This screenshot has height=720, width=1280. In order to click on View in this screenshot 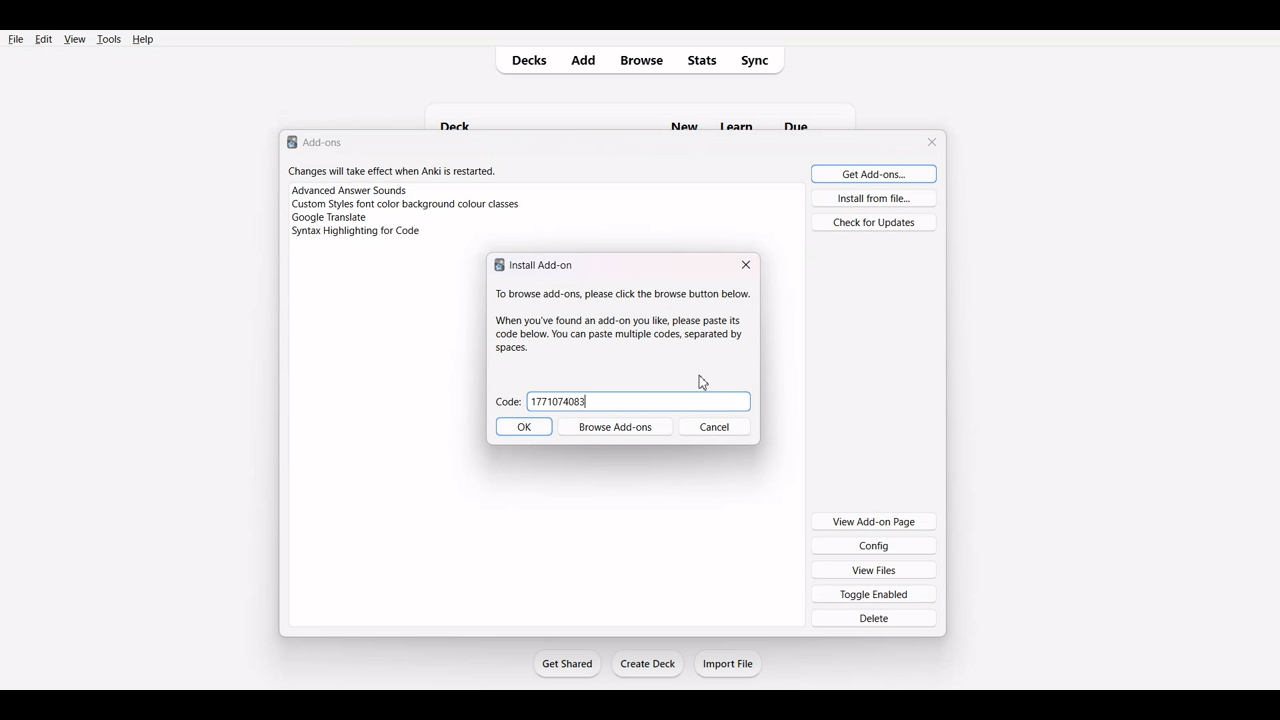, I will do `click(74, 39)`.